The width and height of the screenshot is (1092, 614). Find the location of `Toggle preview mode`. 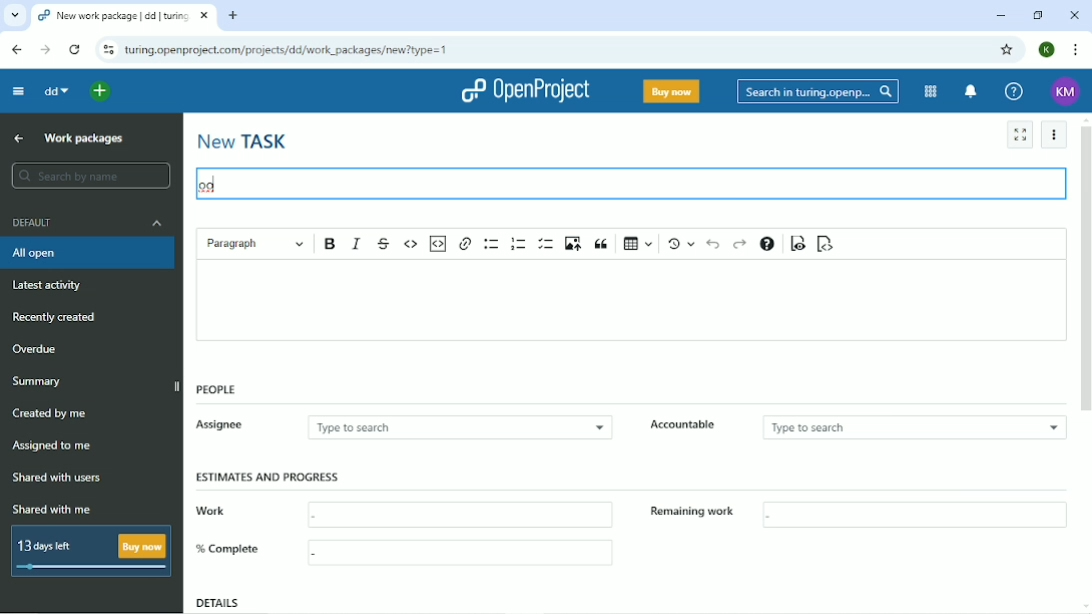

Toggle preview mode is located at coordinates (797, 243).